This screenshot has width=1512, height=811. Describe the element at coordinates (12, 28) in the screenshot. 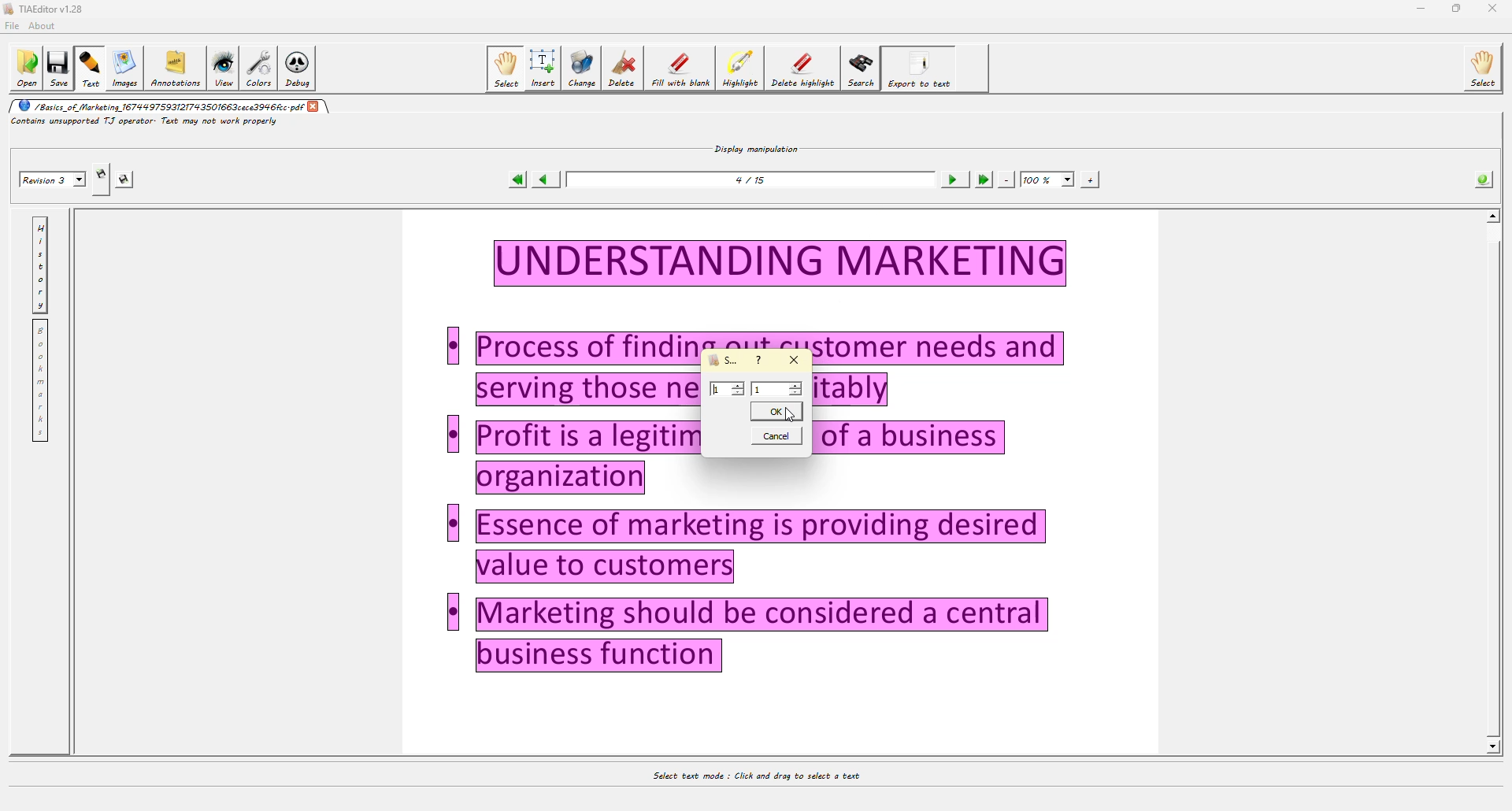

I see `file` at that location.